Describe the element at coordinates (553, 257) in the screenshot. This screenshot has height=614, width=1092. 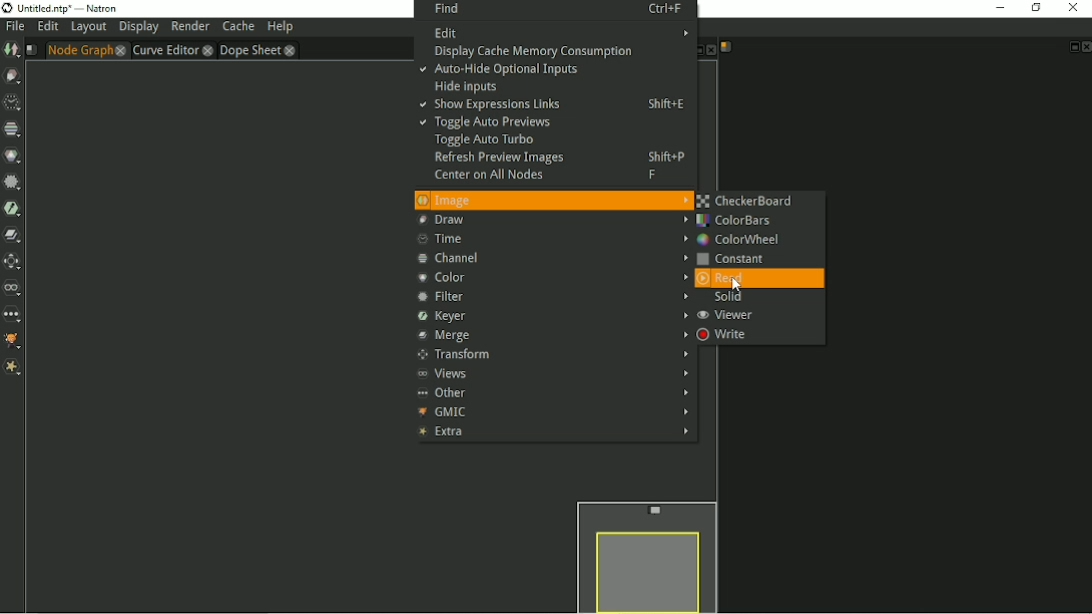
I see `Channel` at that location.